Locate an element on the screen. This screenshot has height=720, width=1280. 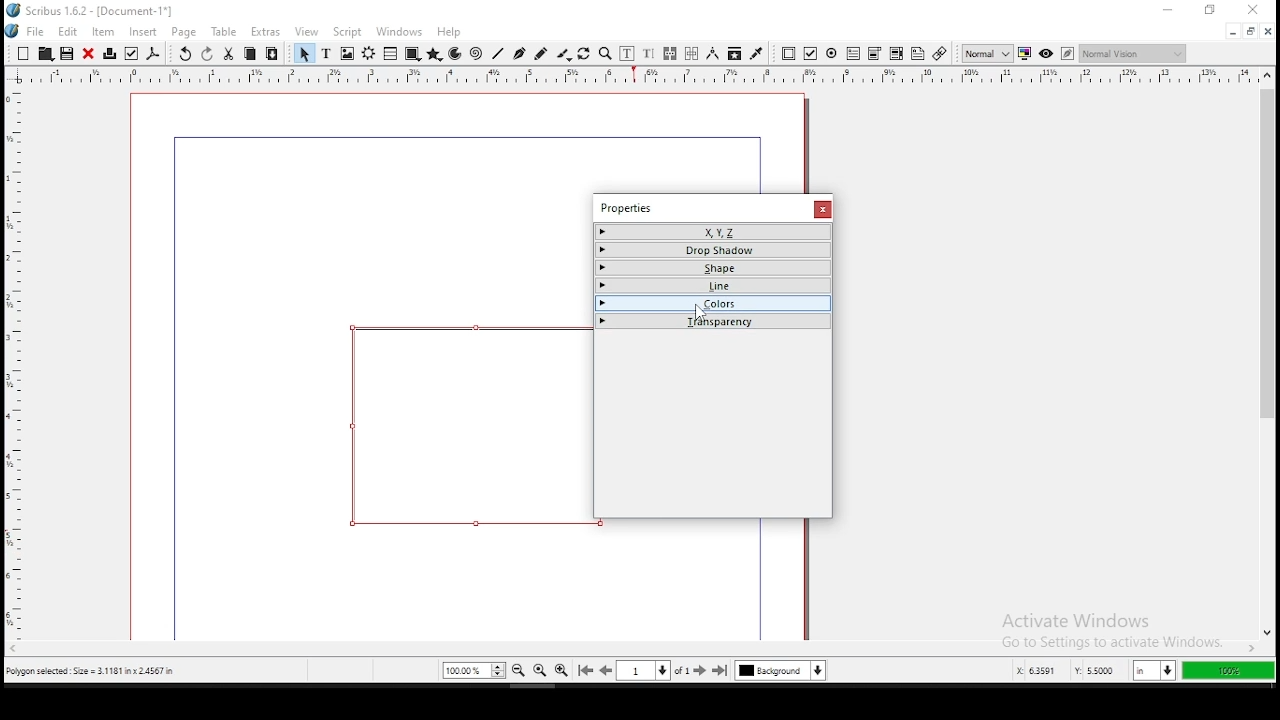
link text frames is located at coordinates (670, 54).